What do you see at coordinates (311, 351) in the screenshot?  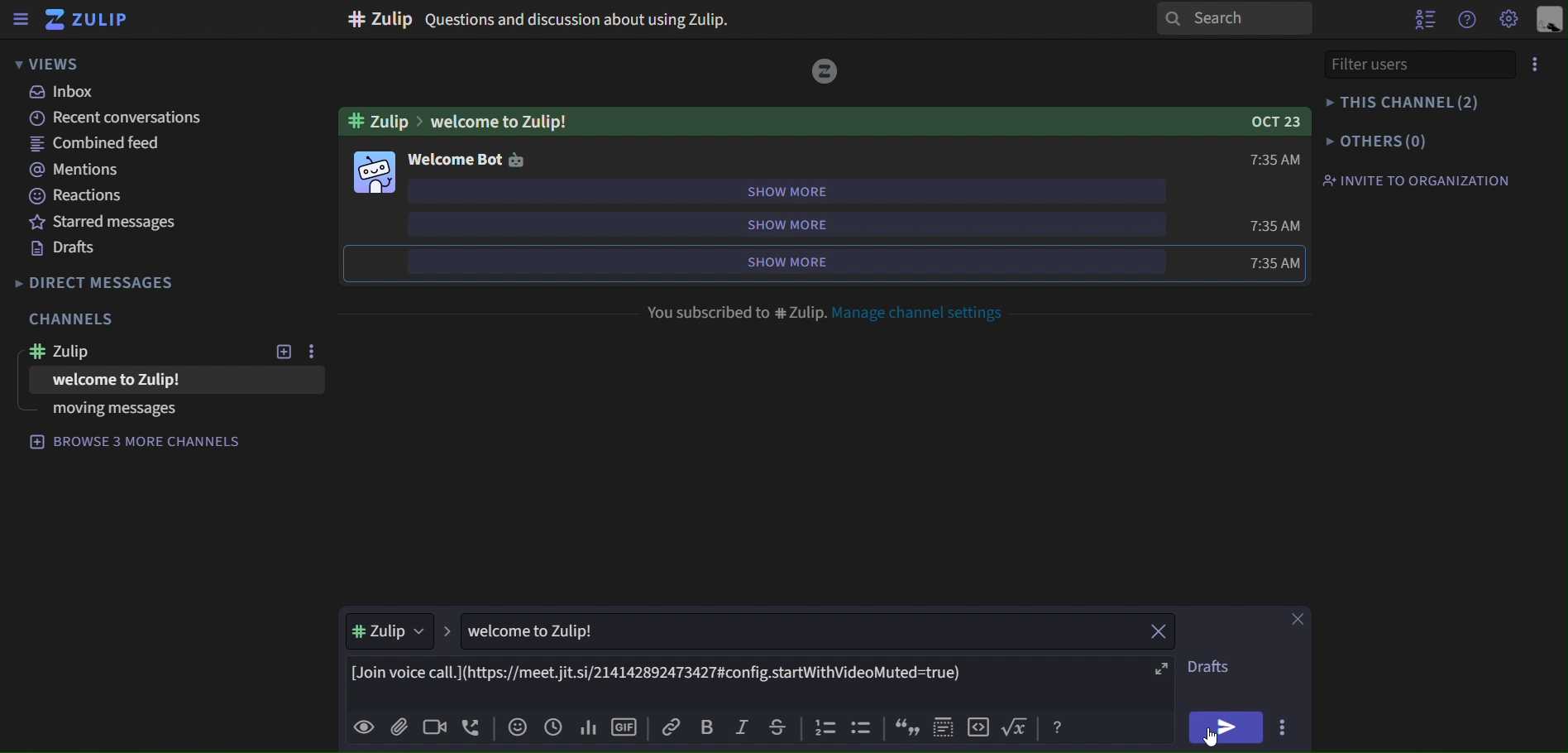 I see `more options` at bounding box center [311, 351].